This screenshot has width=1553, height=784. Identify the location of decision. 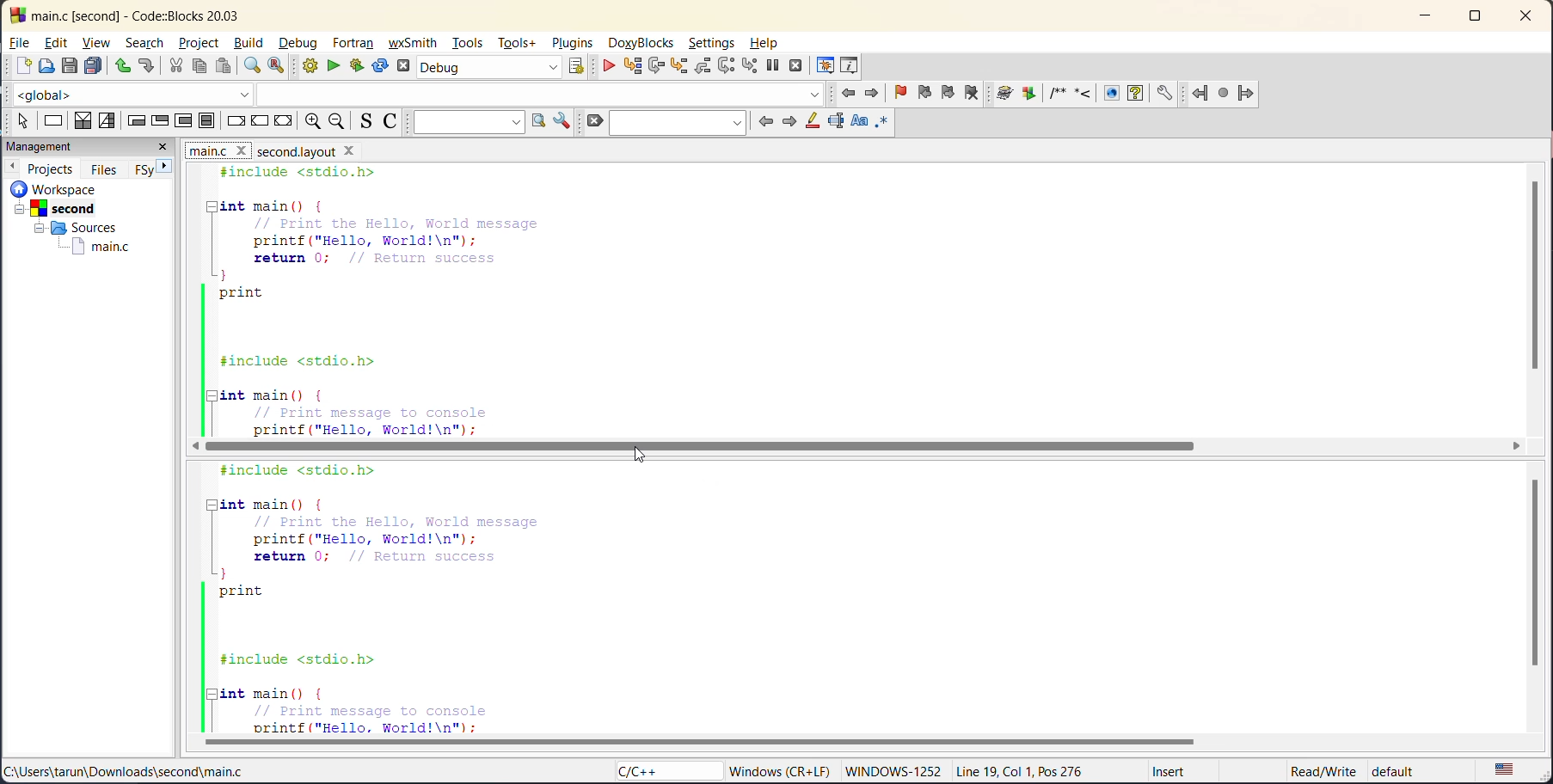
(82, 119).